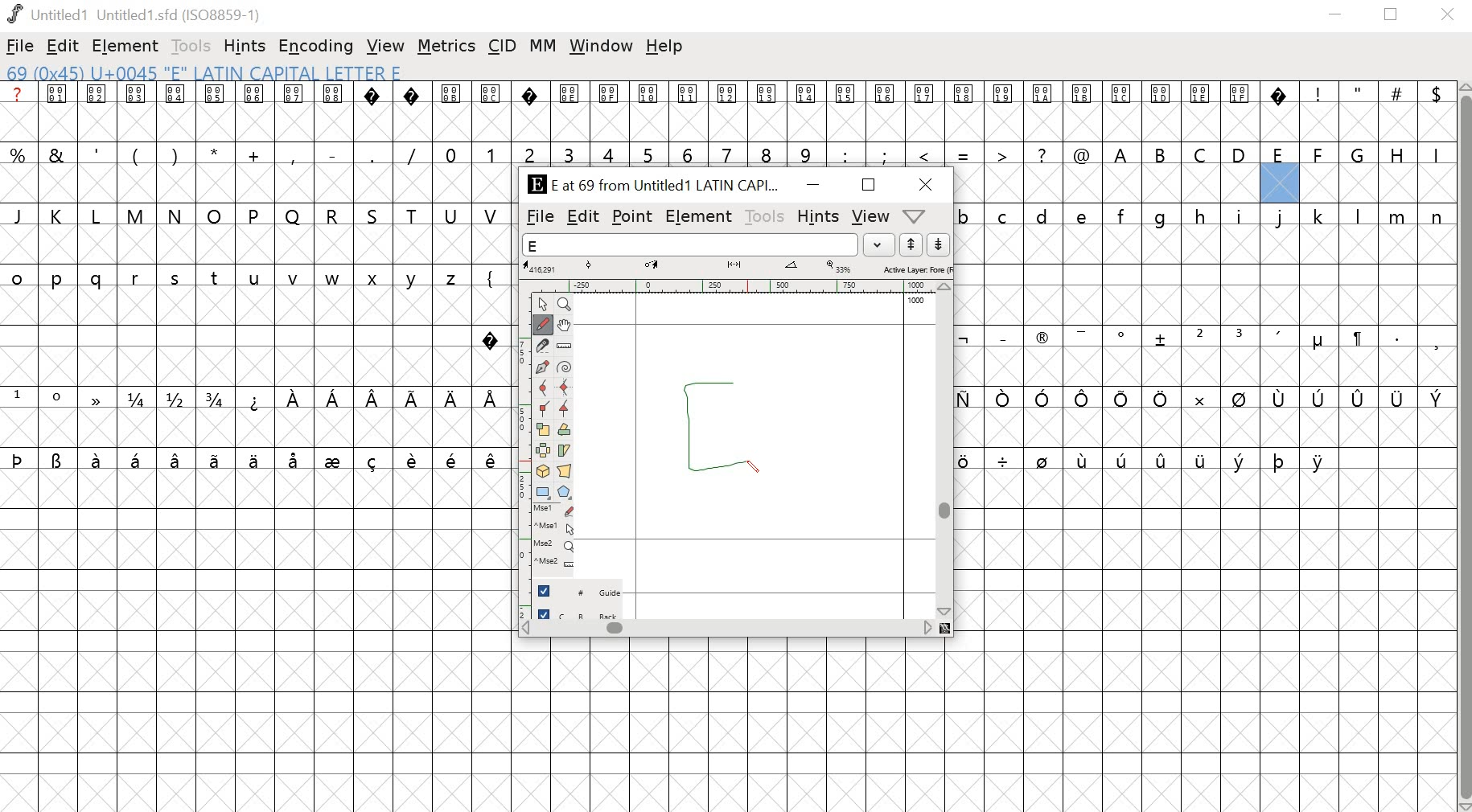 This screenshot has width=1472, height=812. I want to click on empty cells, so click(1205, 429).